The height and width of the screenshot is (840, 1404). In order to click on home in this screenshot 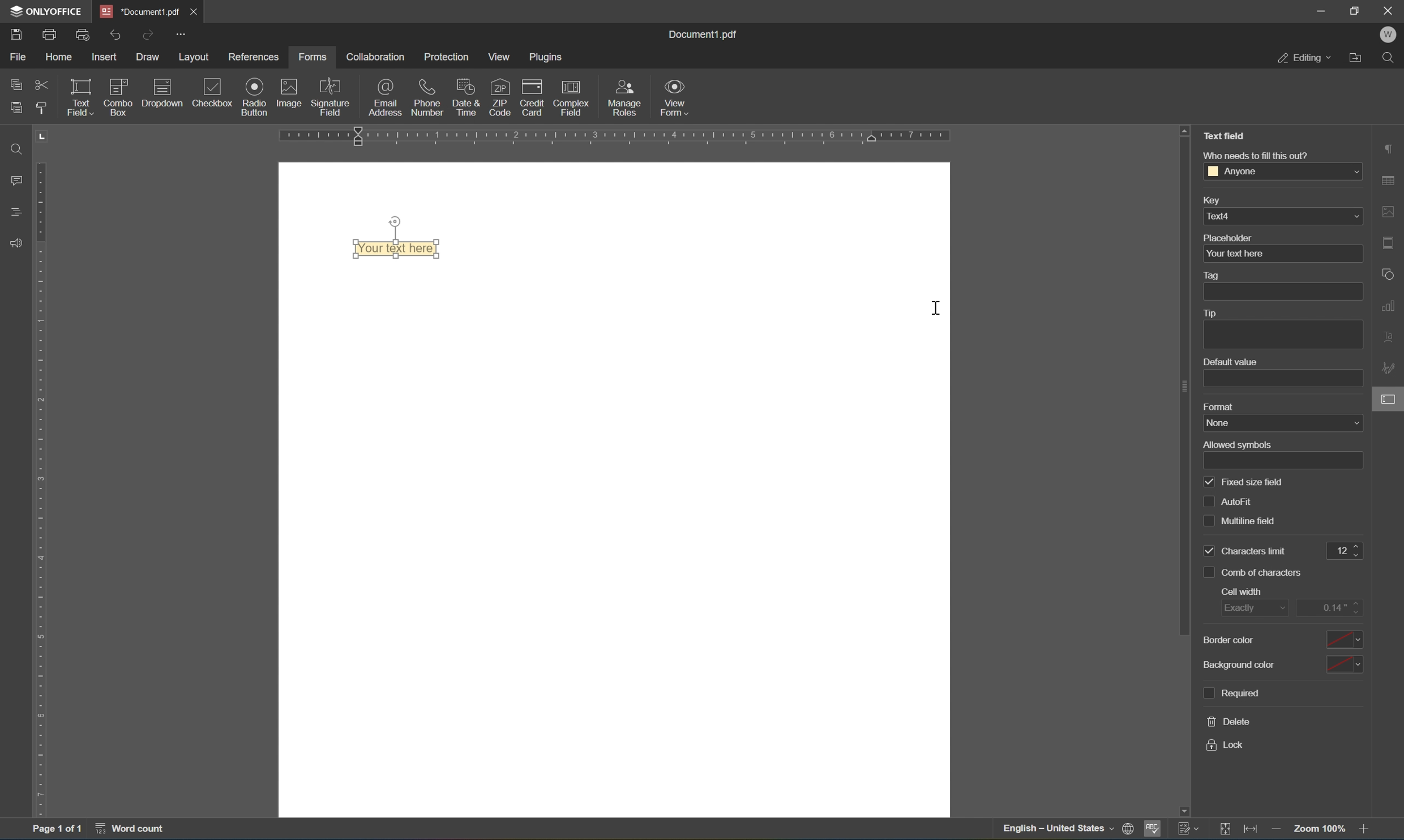, I will do `click(60, 56)`.